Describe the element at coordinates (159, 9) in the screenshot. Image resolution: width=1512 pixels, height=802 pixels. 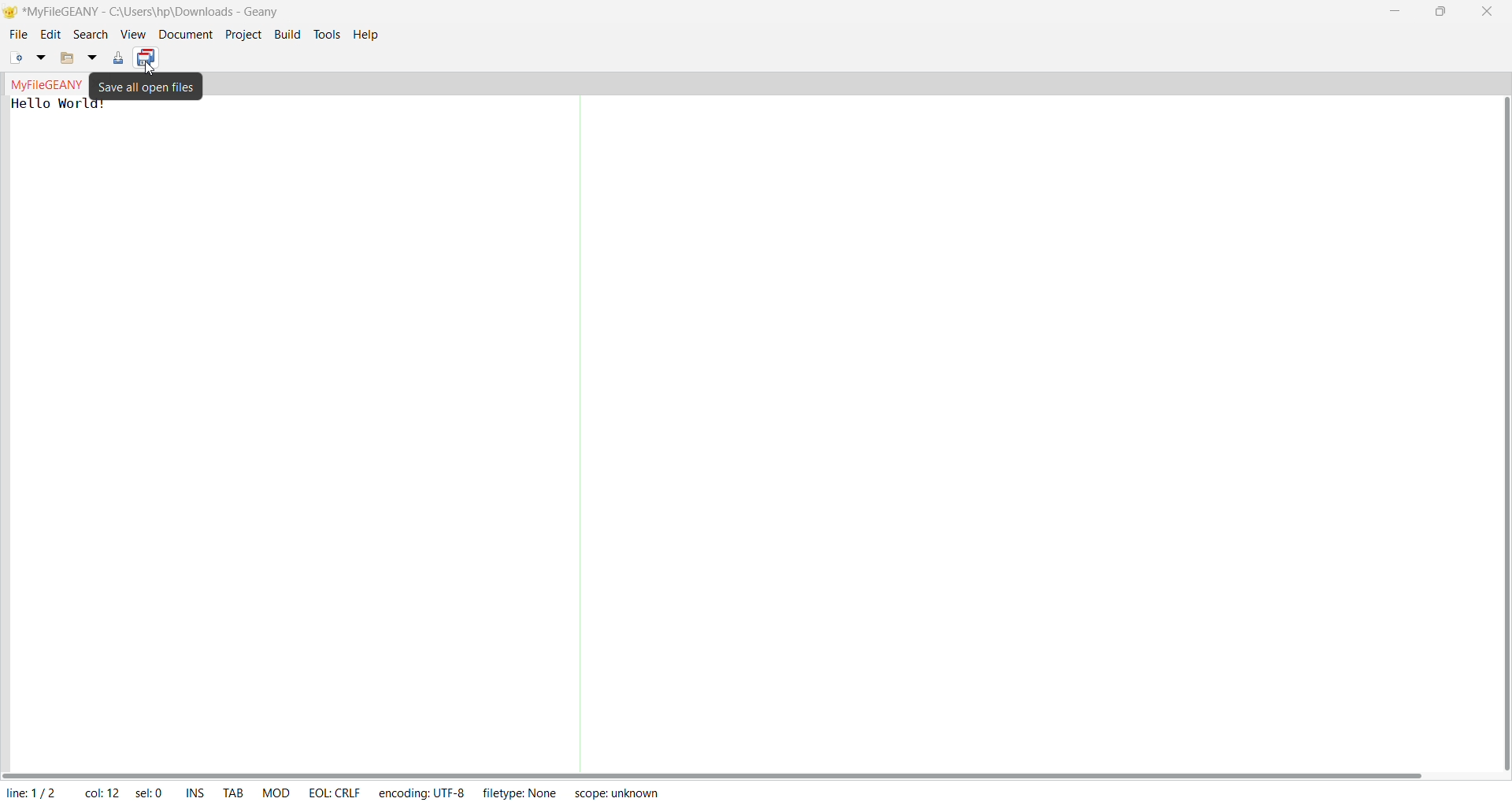
I see `MyFileGeany - C:\Users\hp\Downloads - Geany` at that location.